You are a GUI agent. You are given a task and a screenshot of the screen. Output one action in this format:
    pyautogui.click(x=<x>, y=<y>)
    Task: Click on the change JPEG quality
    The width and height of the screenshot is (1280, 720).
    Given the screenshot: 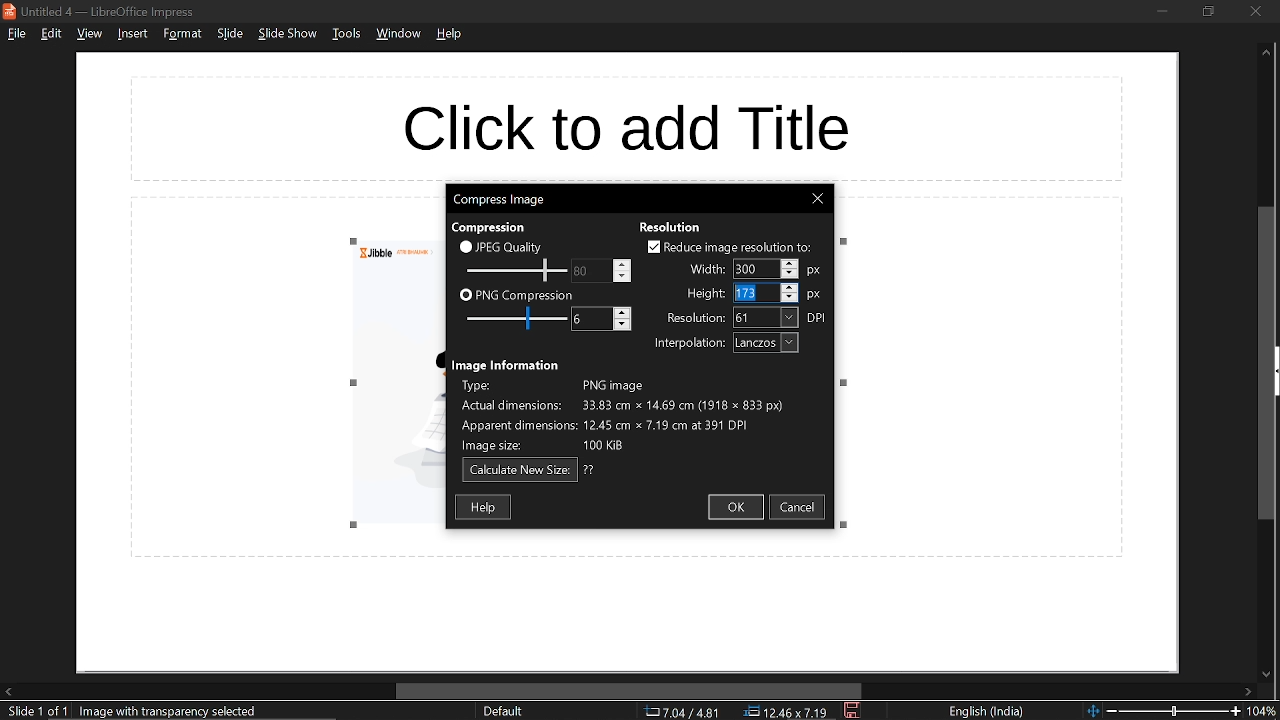 What is the action you would take?
    pyautogui.click(x=582, y=271)
    